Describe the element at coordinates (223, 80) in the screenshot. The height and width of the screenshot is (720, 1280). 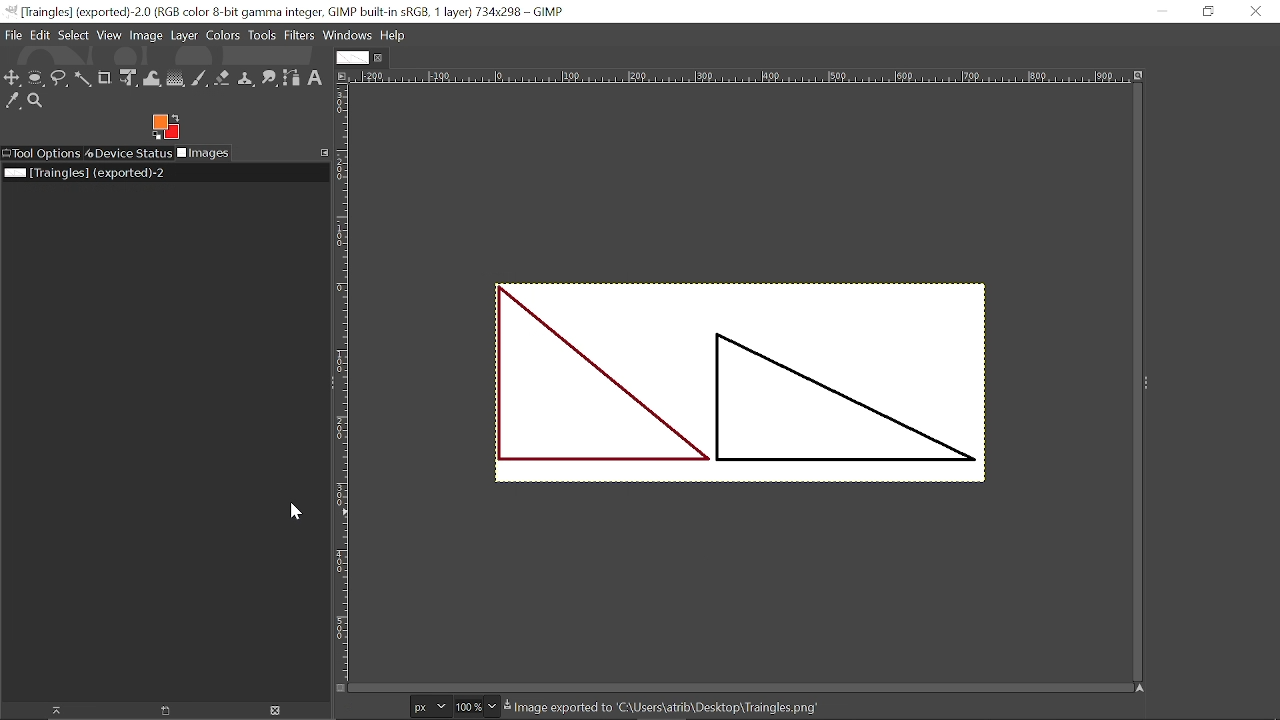
I see `Eraser tool` at that location.